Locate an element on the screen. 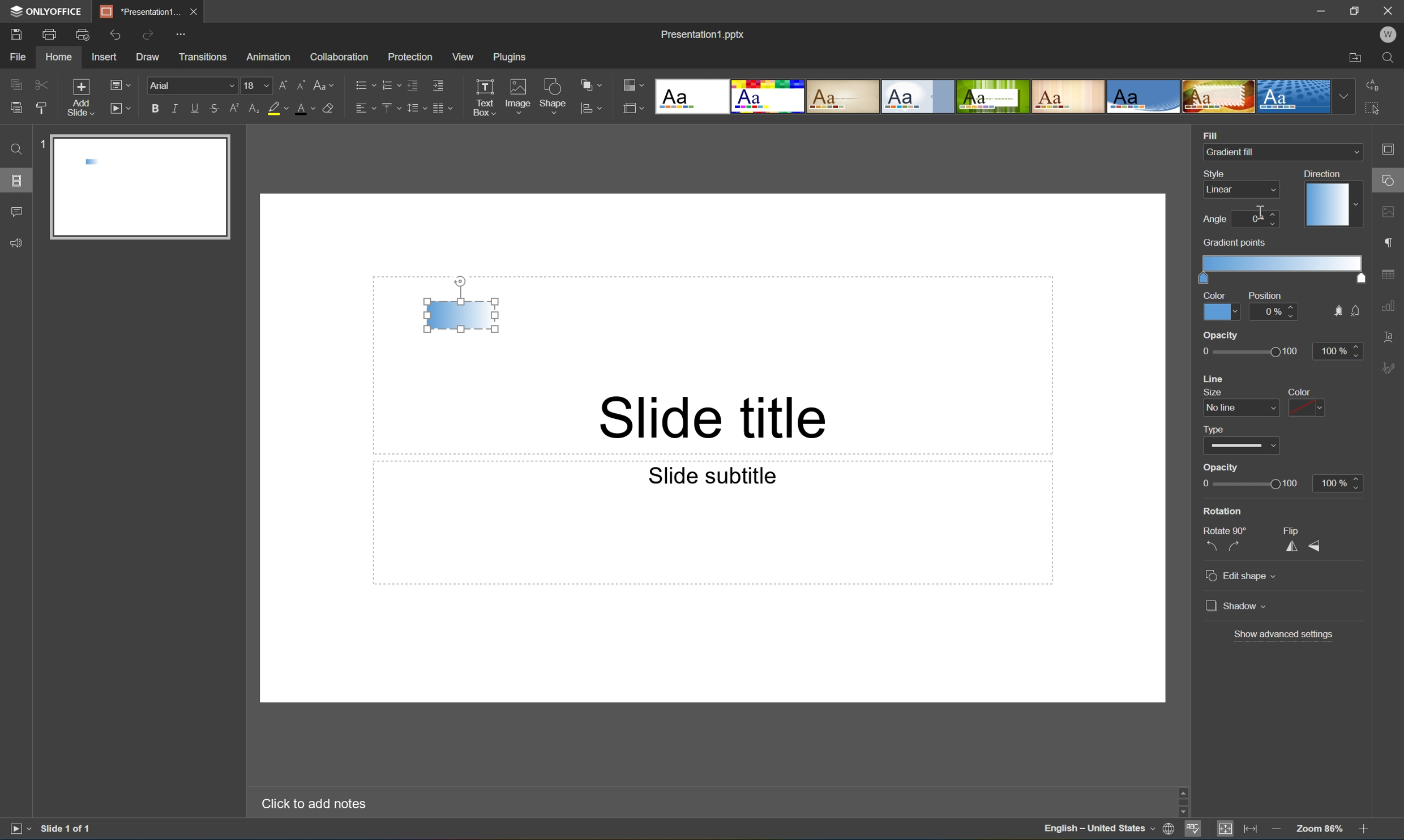  View is located at coordinates (464, 57).